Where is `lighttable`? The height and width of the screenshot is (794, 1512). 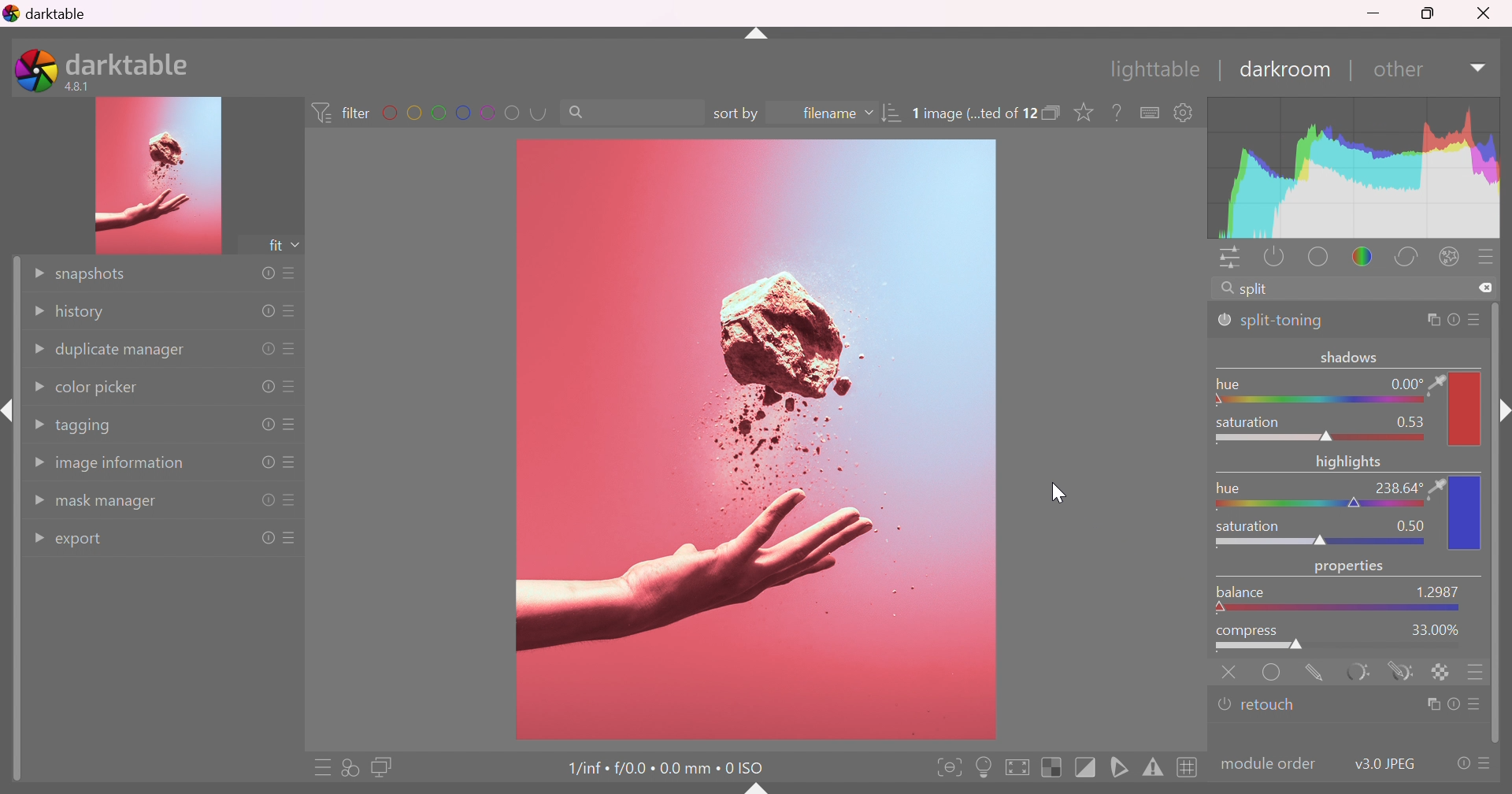 lighttable is located at coordinates (1151, 70).